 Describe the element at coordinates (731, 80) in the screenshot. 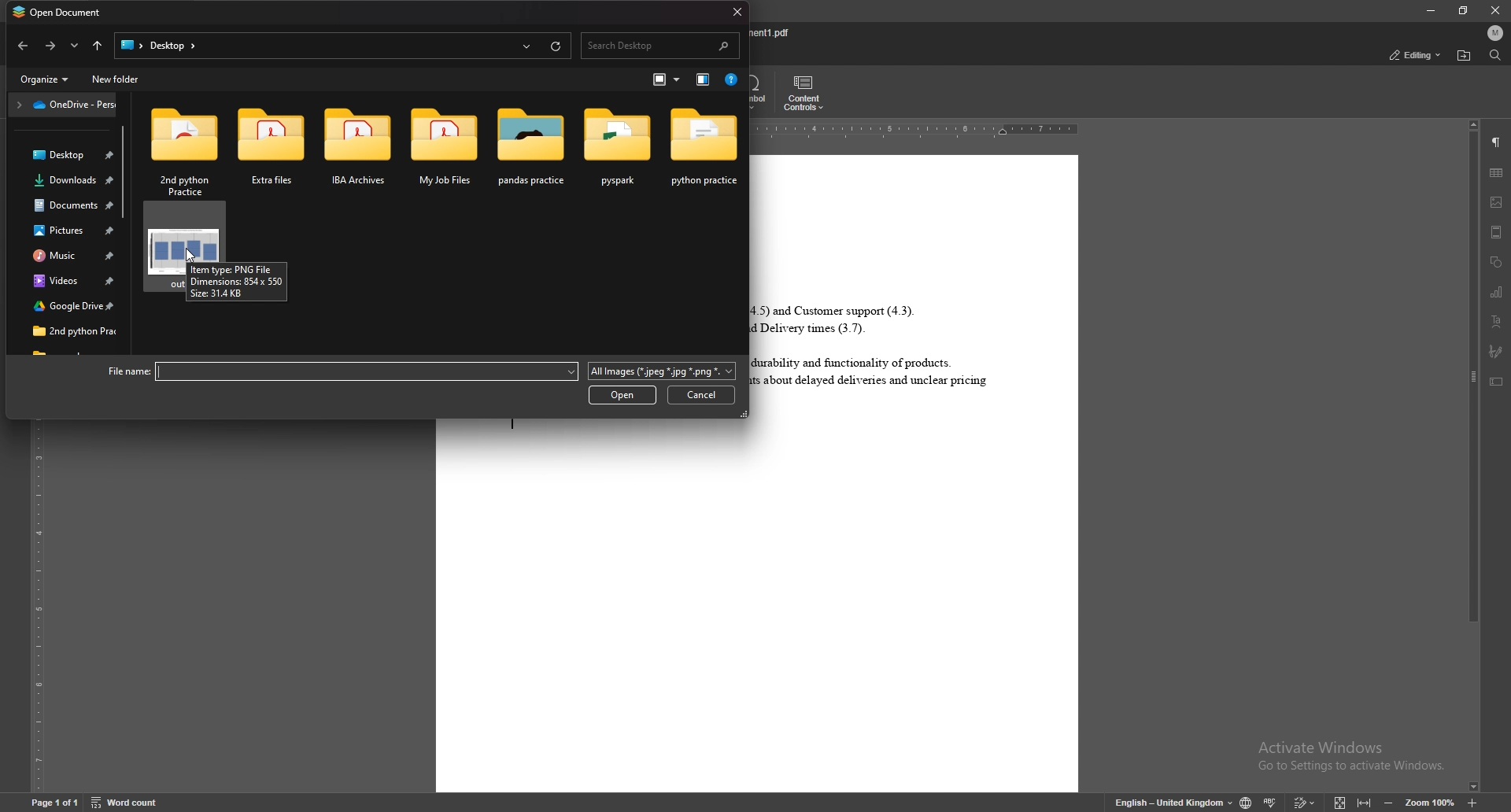

I see `help` at that location.